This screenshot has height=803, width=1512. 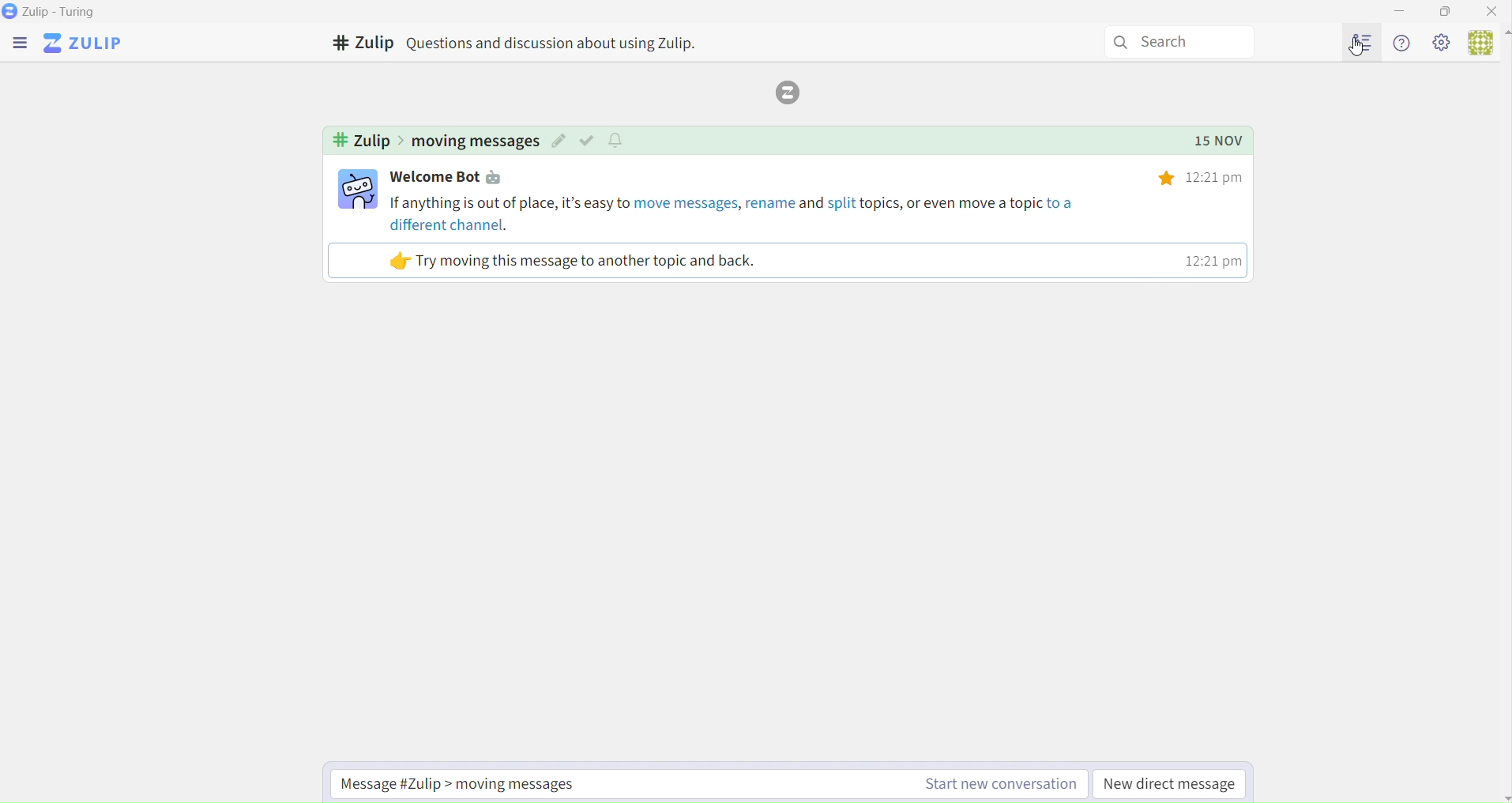 What do you see at coordinates (1179, 43) in the screenshot?
I see `Search` at bounding box center [1179, 43].